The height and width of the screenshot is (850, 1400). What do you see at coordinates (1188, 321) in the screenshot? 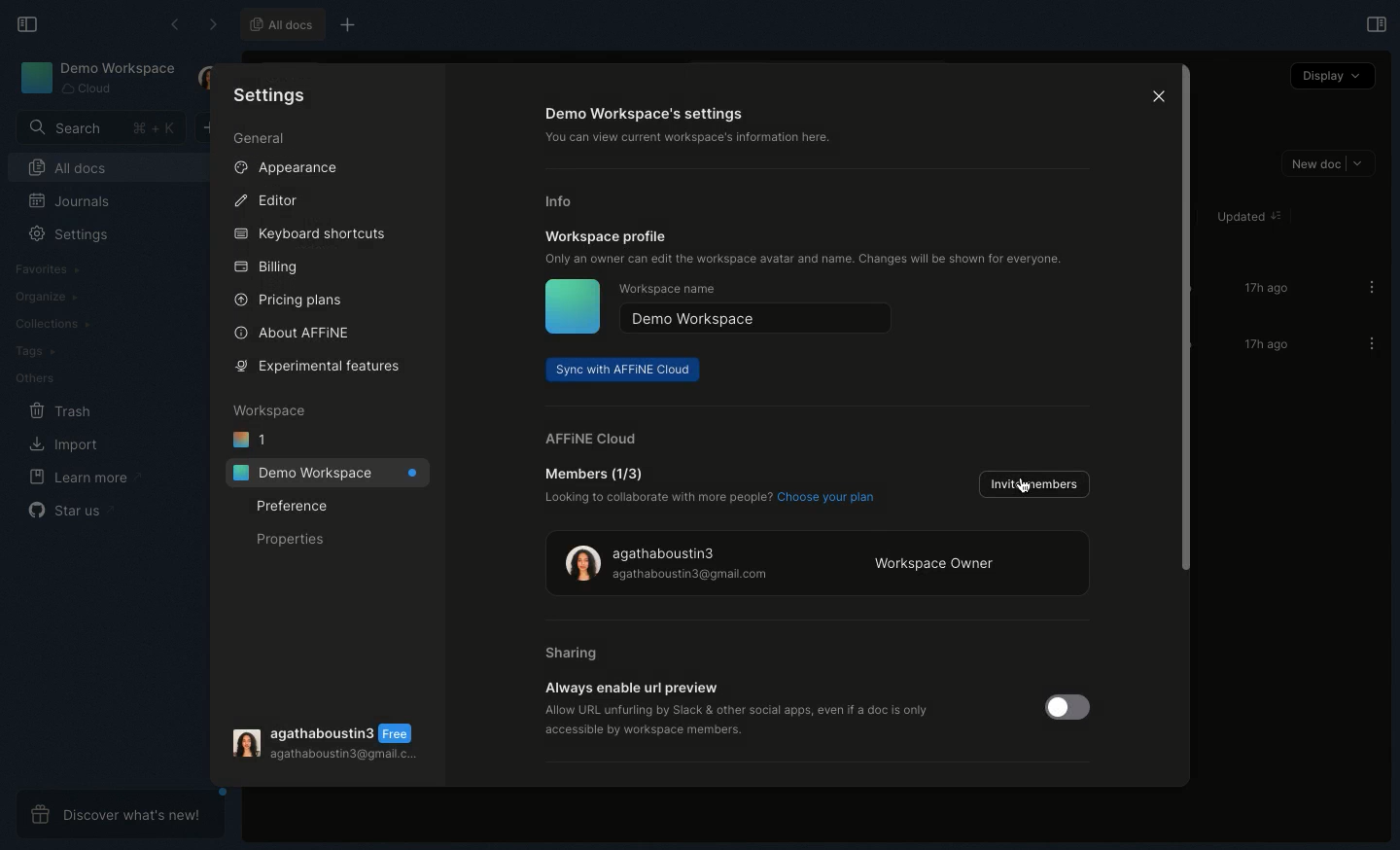
I see `Scroll bar` at bounding box center [1188, 321].